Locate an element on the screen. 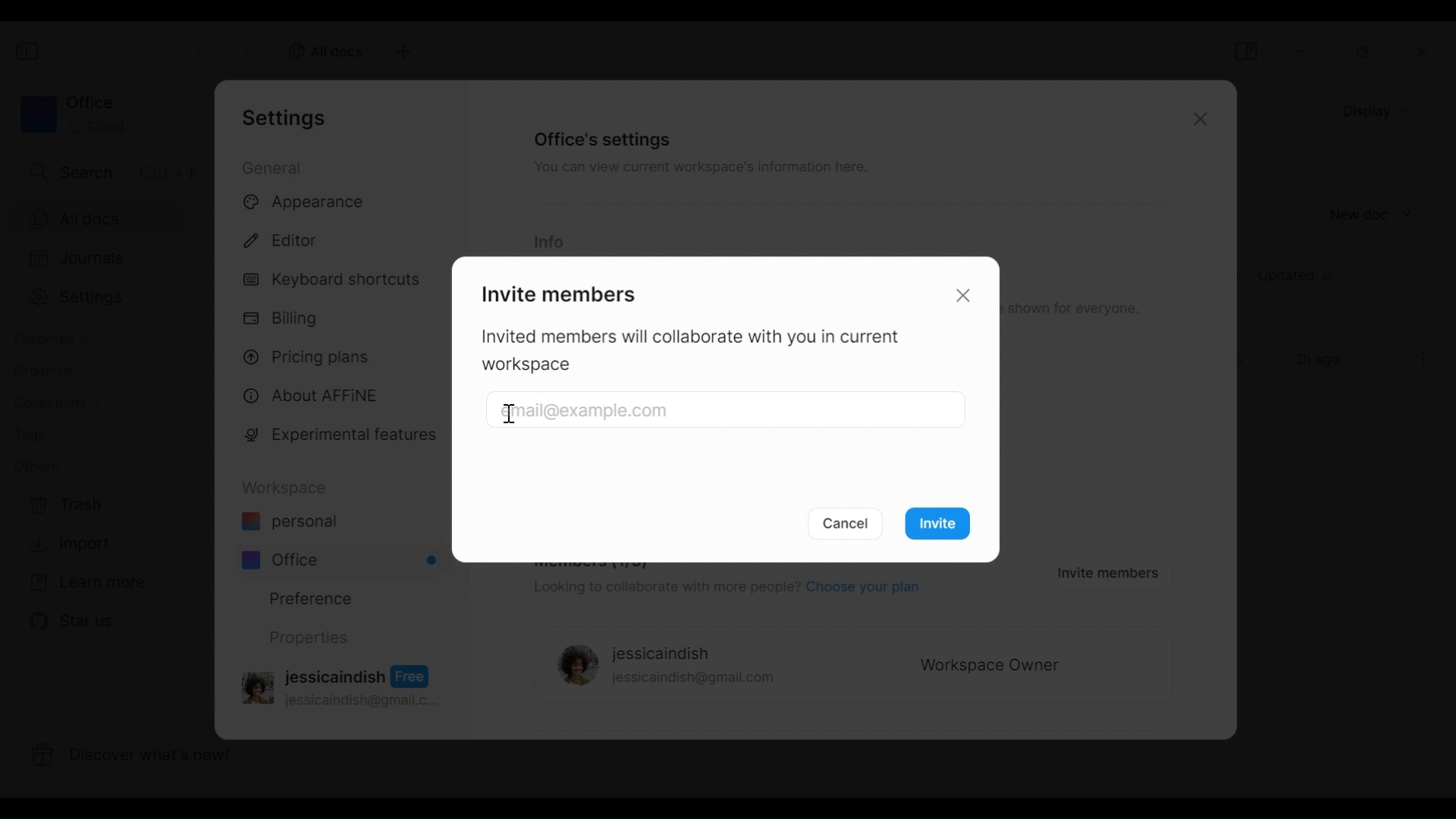 This screenshot has height=819, width=1456. Organize is located at coordinates (42, 371).